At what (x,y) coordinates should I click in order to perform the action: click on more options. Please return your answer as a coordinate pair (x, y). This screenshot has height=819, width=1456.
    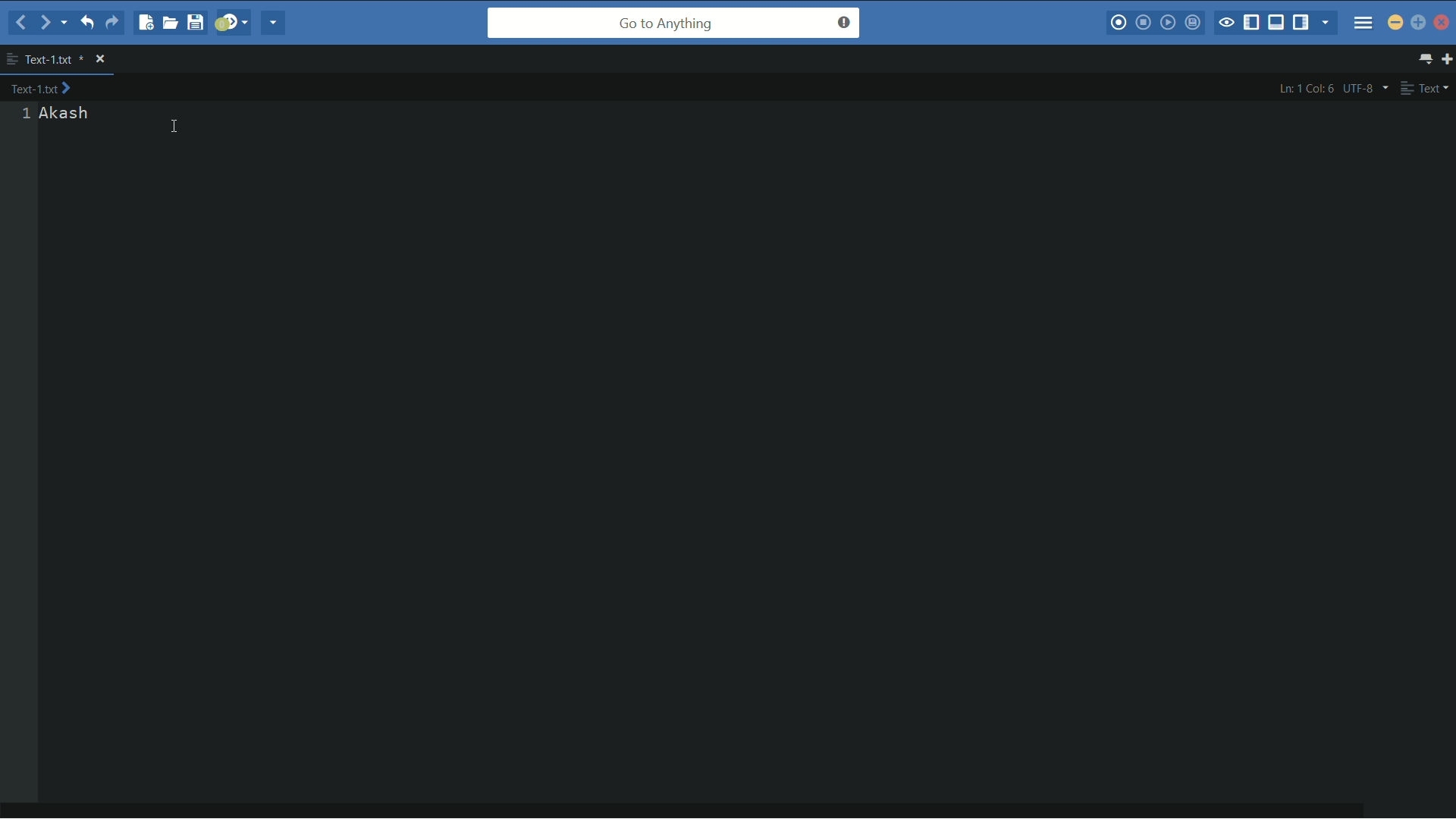
    Looking at the image, I should click on (12, 59).